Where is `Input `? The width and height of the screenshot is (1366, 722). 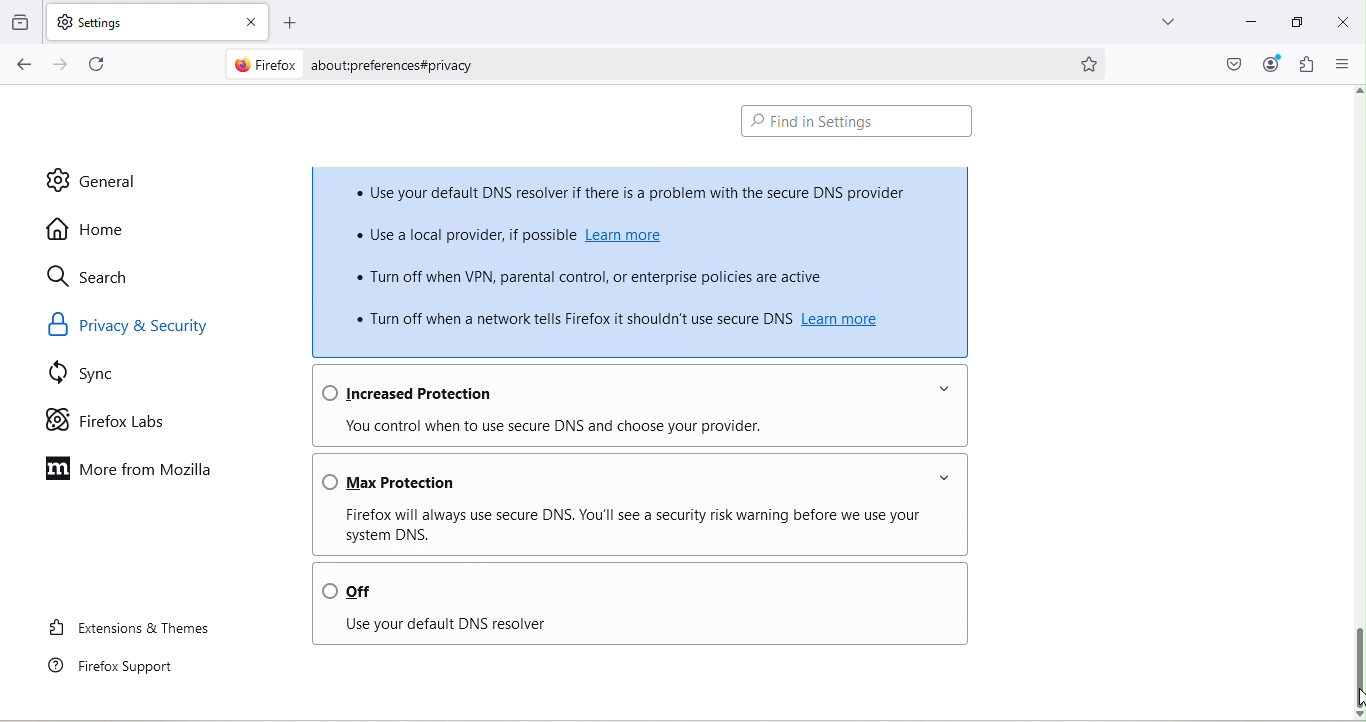
Input  is located at coordinates (1245, 25).